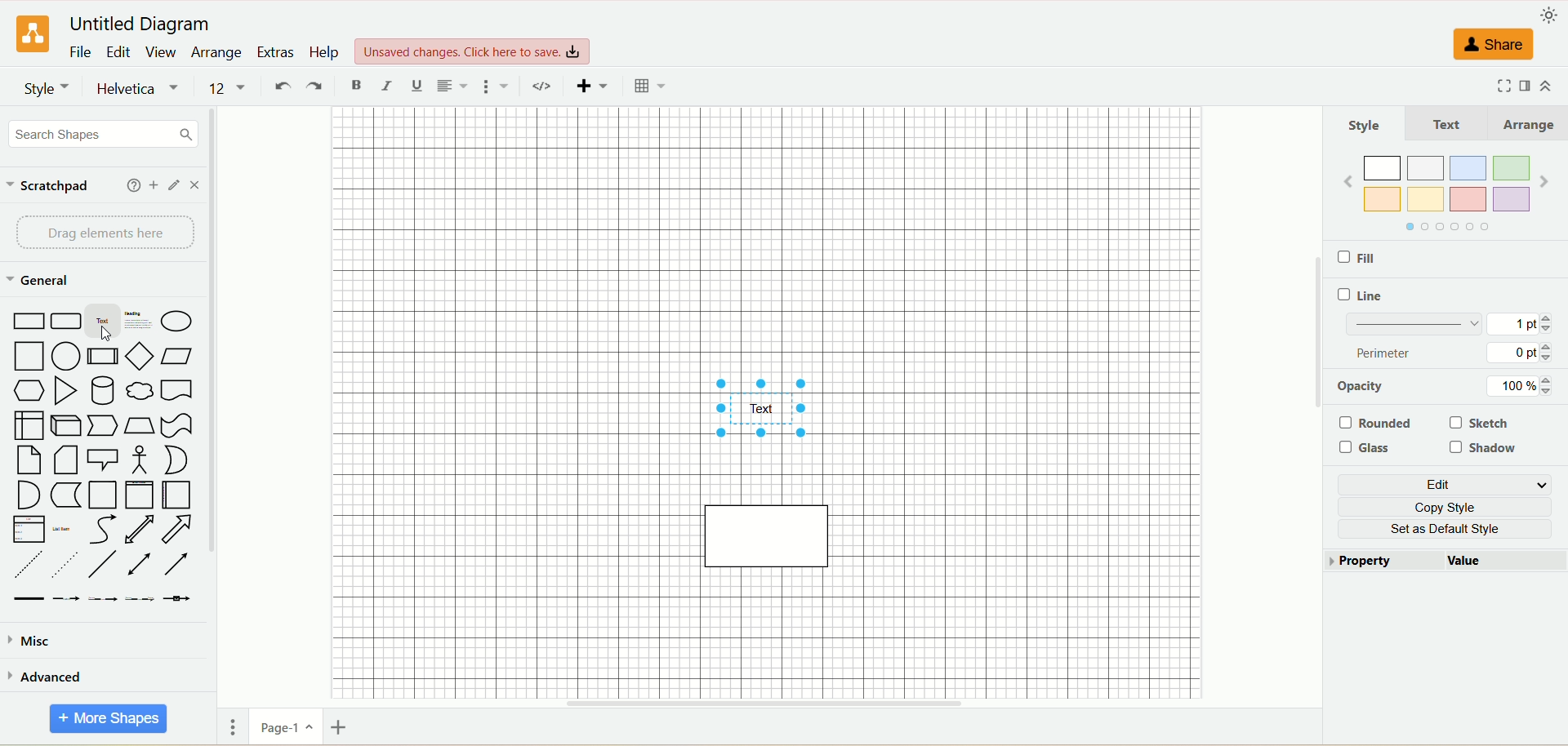  Describe the element at coordinates (649, 87) in the screenshot. I see `Table` at that location.